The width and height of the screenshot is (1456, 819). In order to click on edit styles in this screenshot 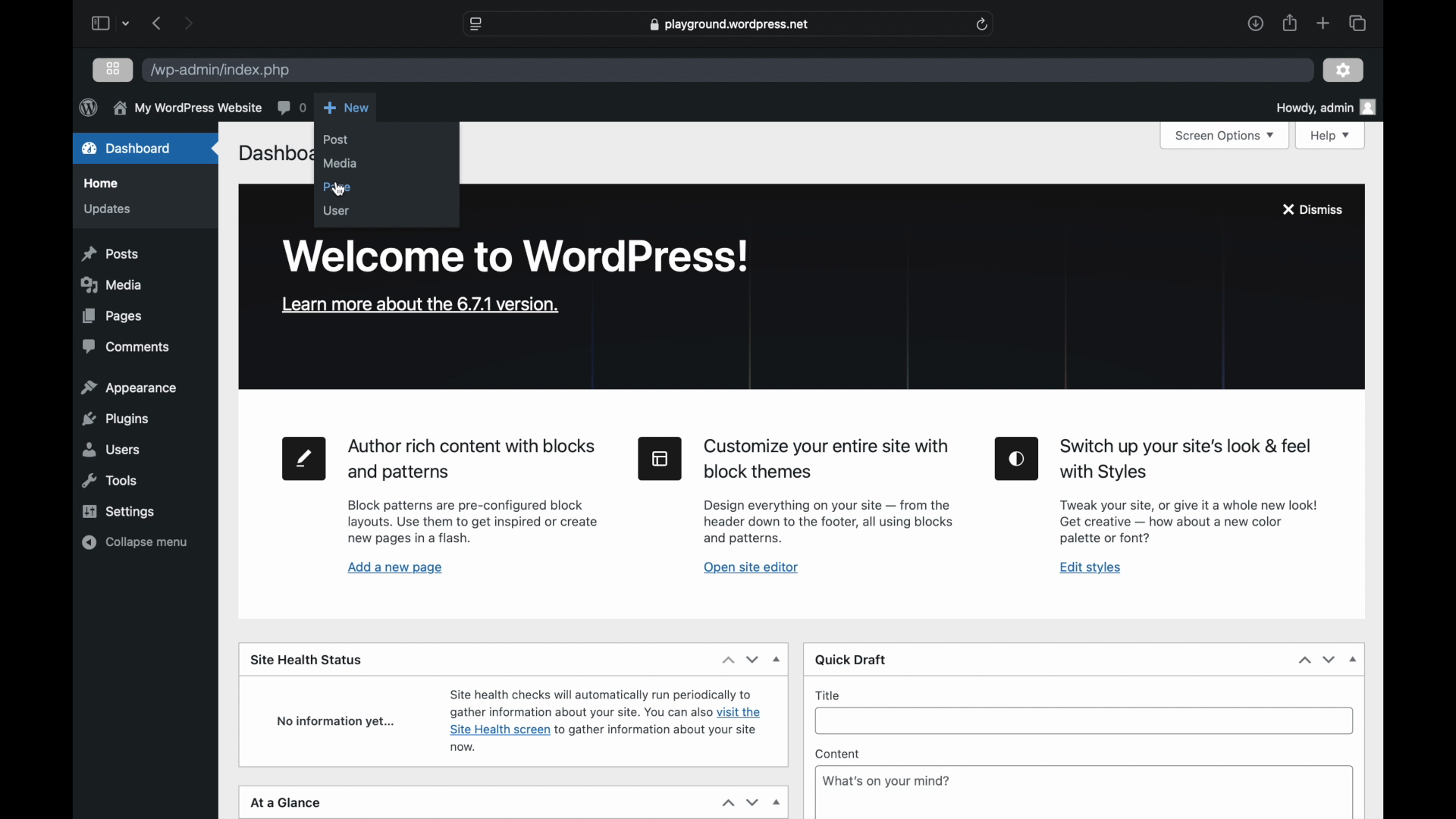, I will do `click(1091, 569)`.